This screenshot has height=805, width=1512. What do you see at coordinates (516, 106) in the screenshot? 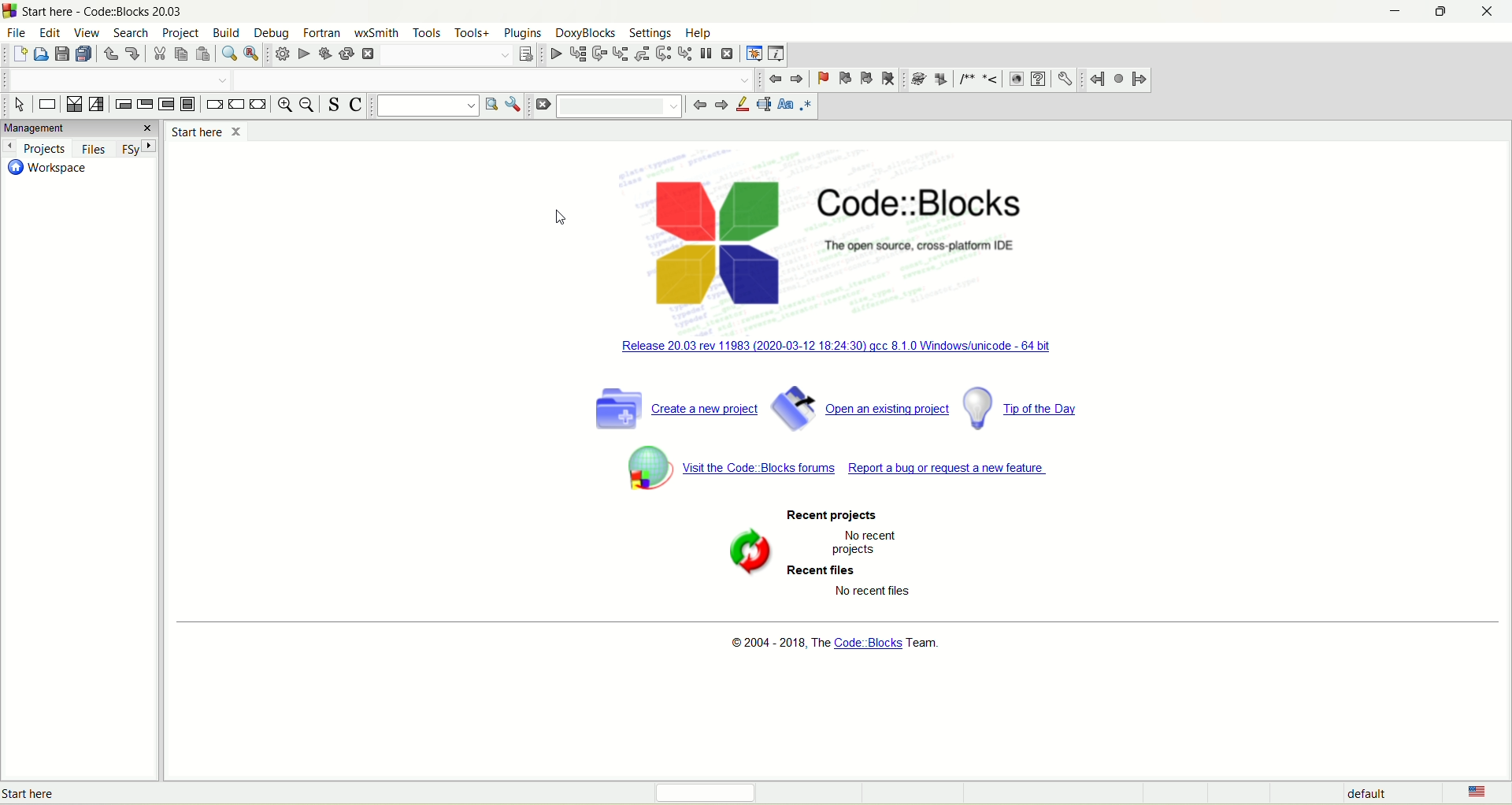
I see `show options window` at bounding box center [516, 106].